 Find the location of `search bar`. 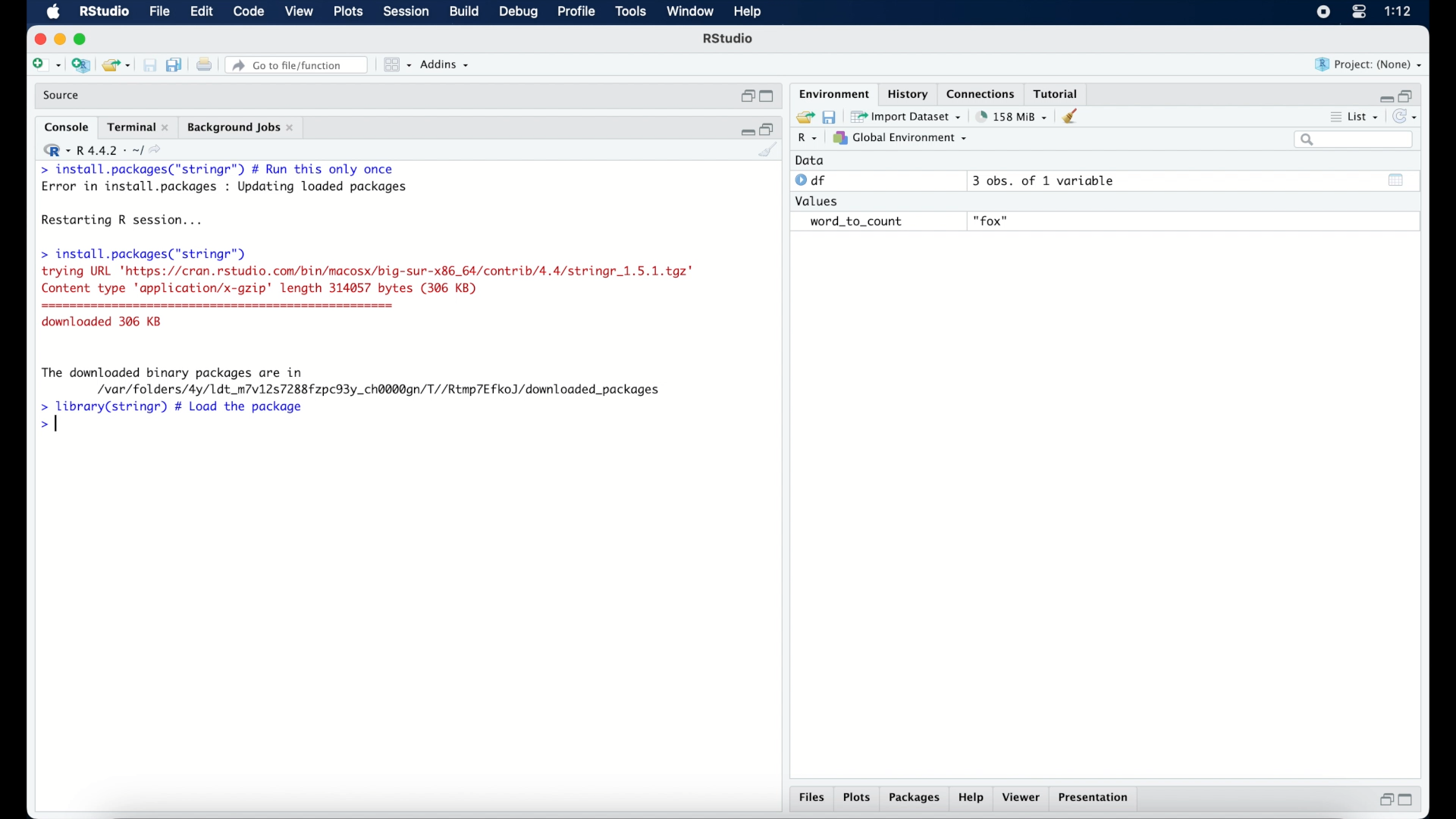

search bar is located at coordinates (1356, 140).